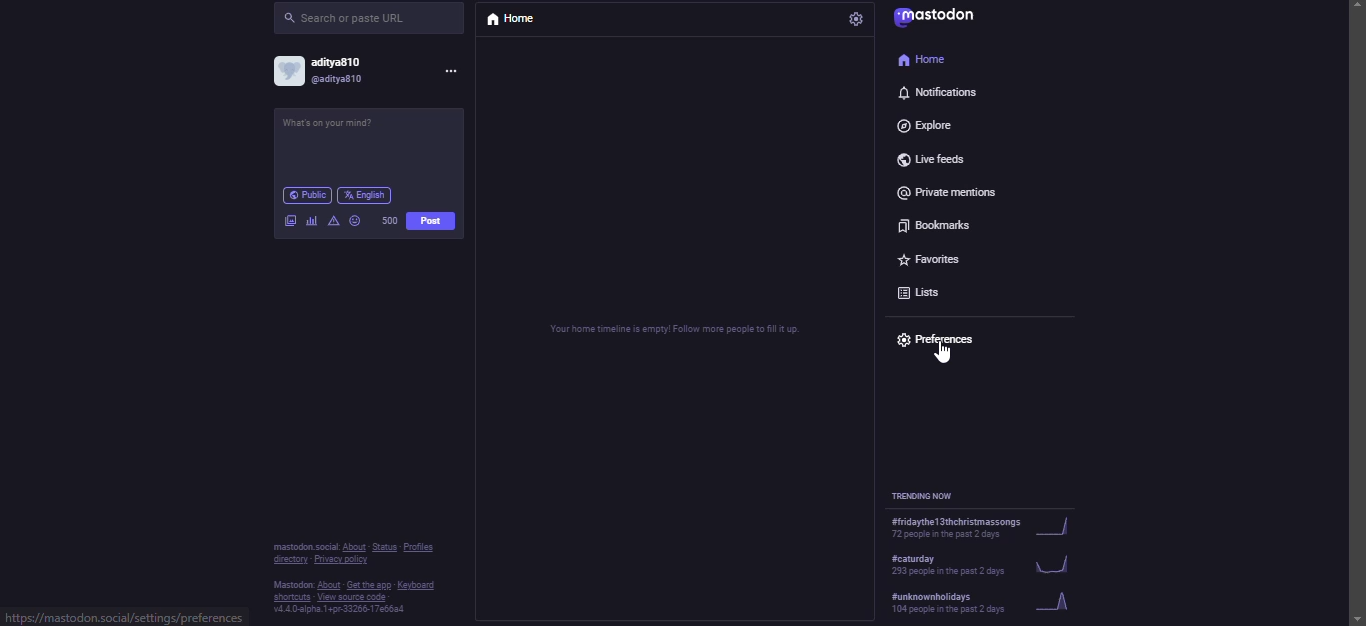 The width and height of the screenshot is (1366, 626). Describe the element at coordinates (117, 618) in the screenshot. I see `website` at that location.